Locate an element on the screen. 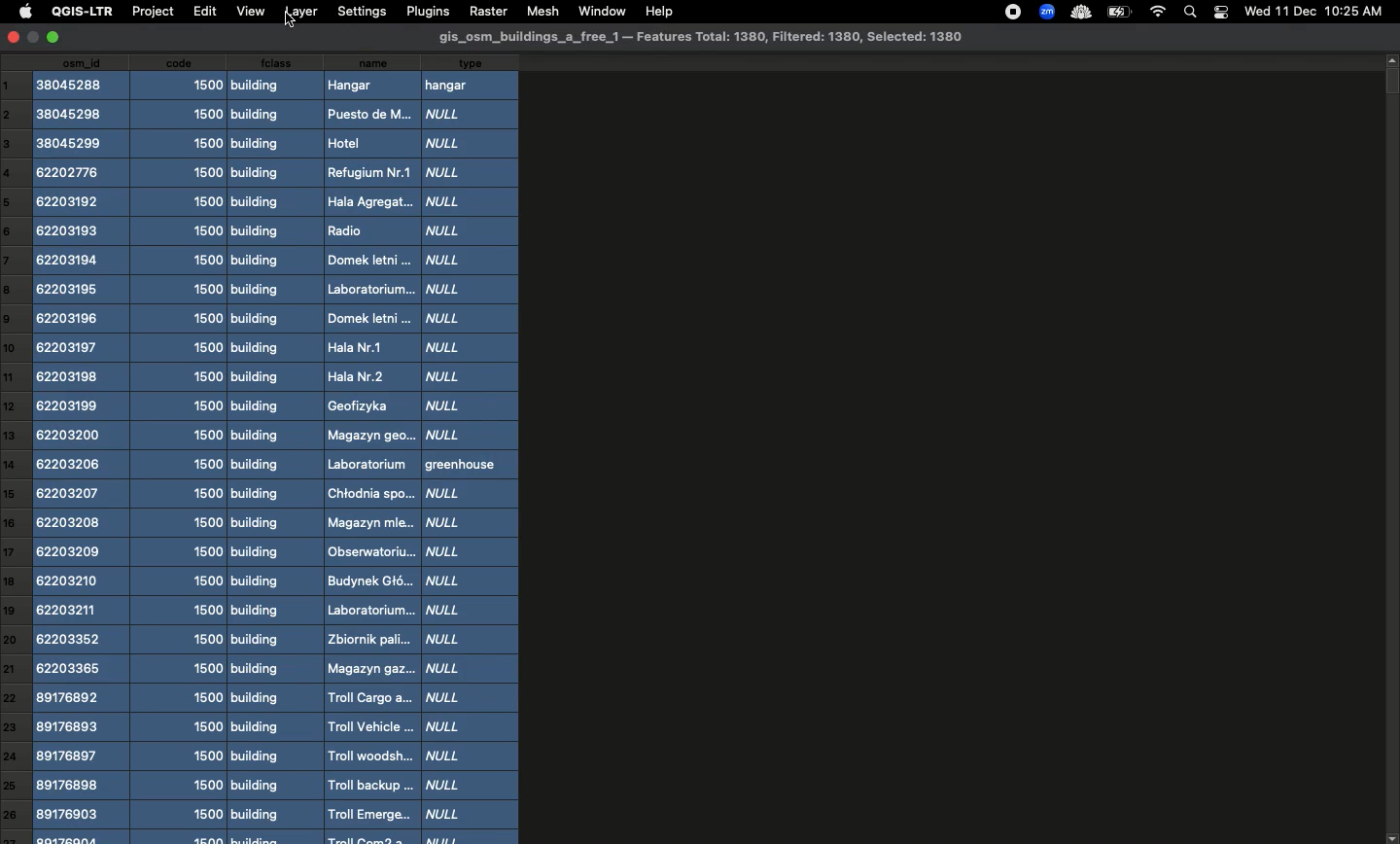  QGIS-LTR is located at coordinates (79, 12).